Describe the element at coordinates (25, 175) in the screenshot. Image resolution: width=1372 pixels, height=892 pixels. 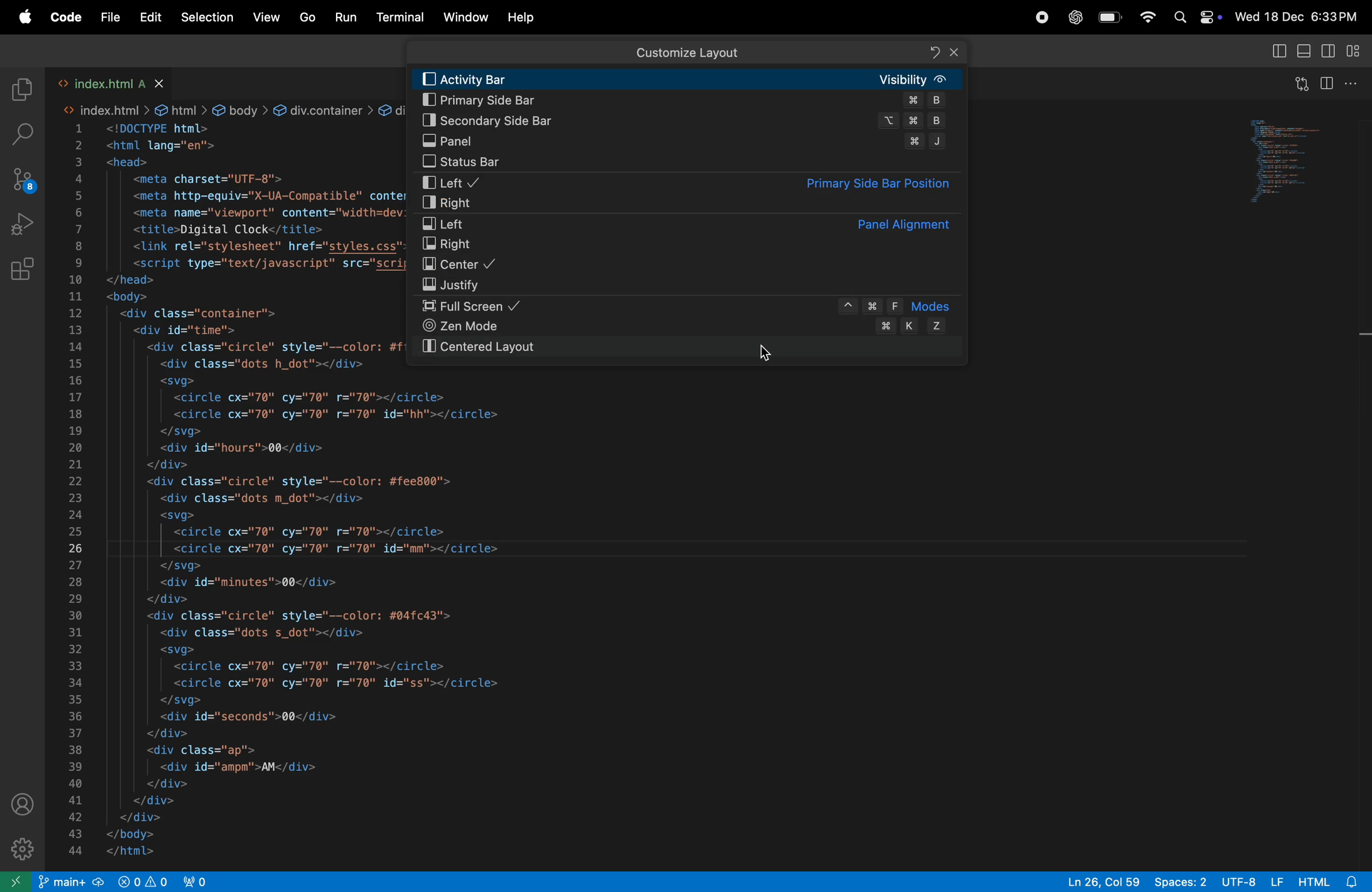
I see `source control` at that location.